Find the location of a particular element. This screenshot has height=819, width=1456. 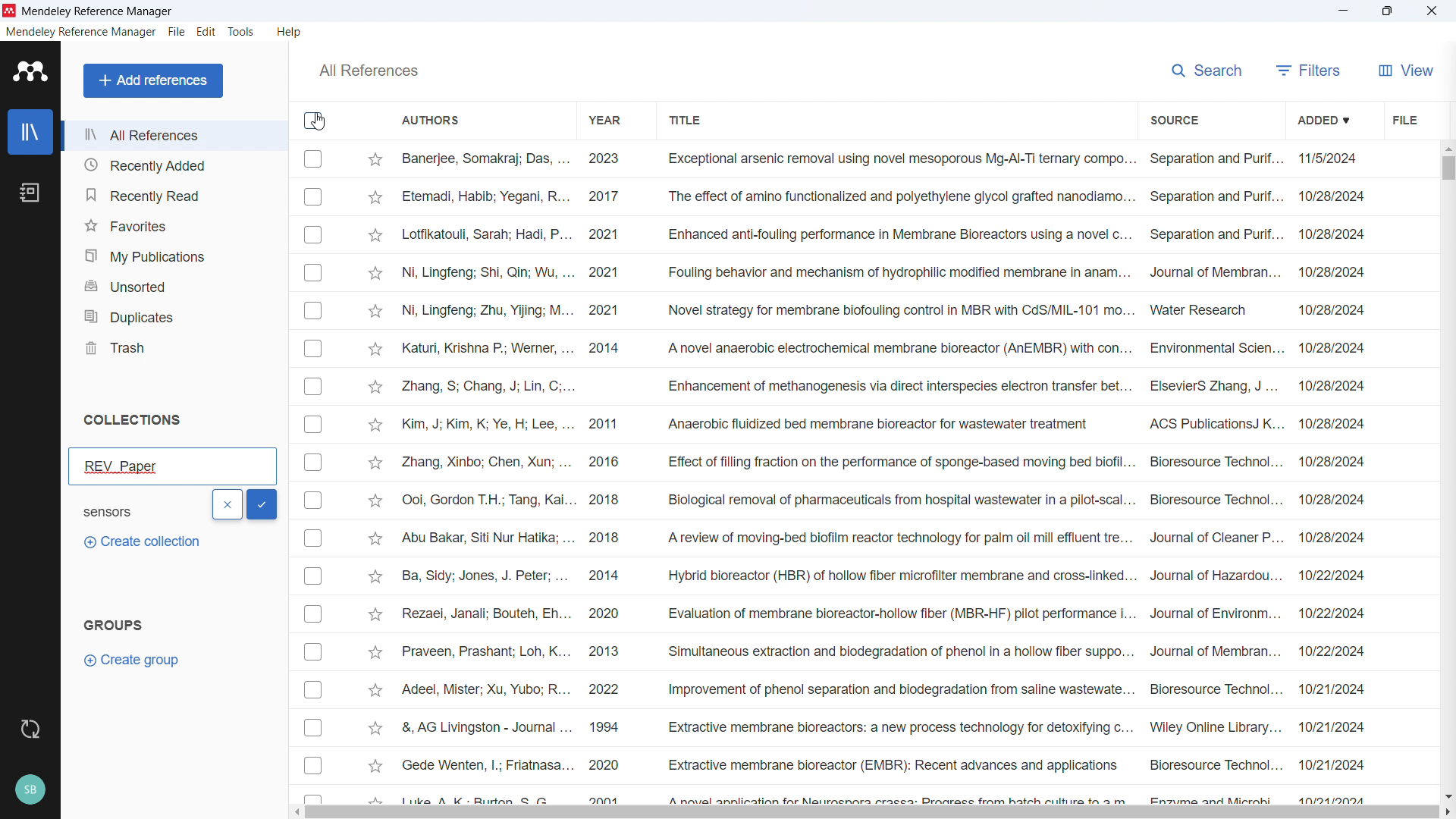

Star mark respective publication is located at coordinates (375, 538).